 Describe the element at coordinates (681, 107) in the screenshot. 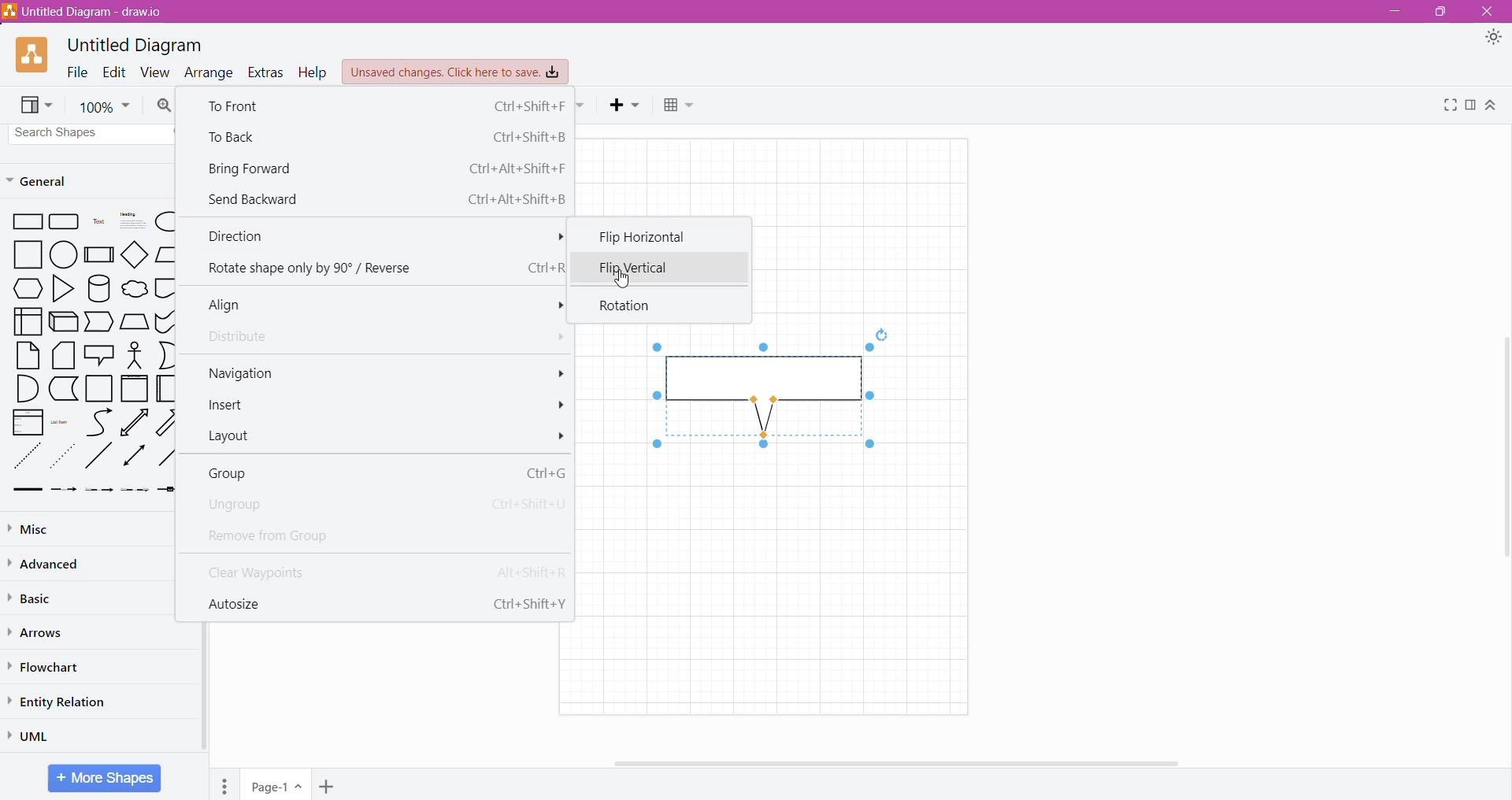

I see `Table` at that location.